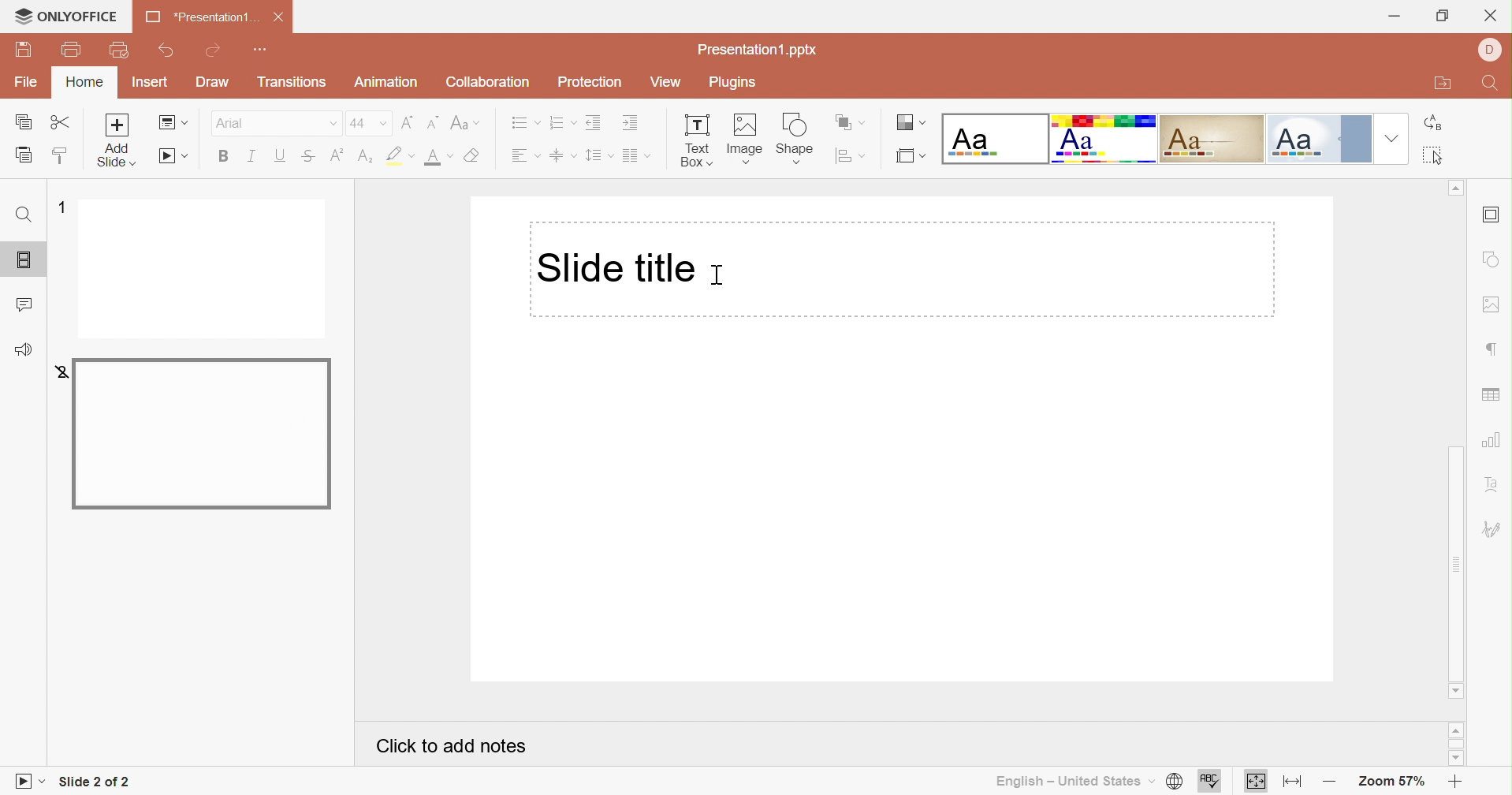 The width and height of the screenshot is (1512, 795). What do you see at coordinates (200, 17) in the screenshot?
I see `*Presentation1...` at bounding box center [200, 17].